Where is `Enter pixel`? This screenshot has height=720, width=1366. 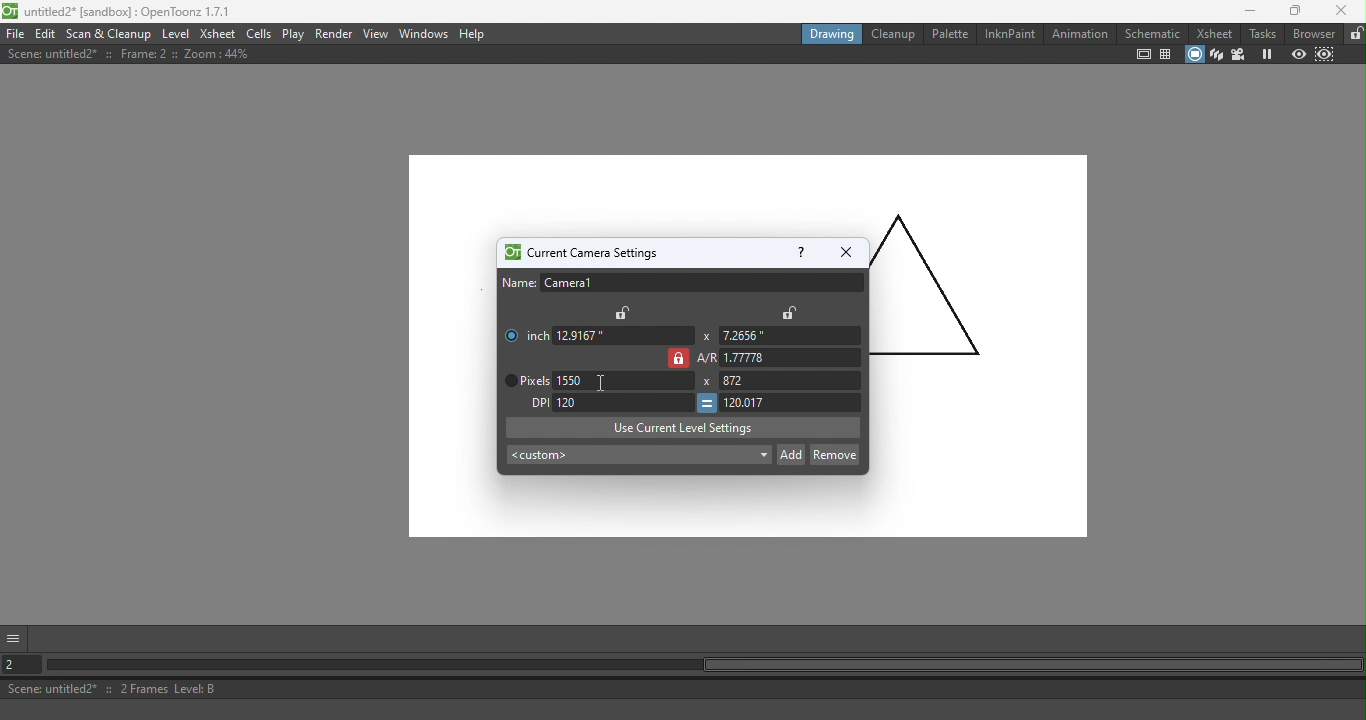 Enter pixel is located at coordinates (623, 401).